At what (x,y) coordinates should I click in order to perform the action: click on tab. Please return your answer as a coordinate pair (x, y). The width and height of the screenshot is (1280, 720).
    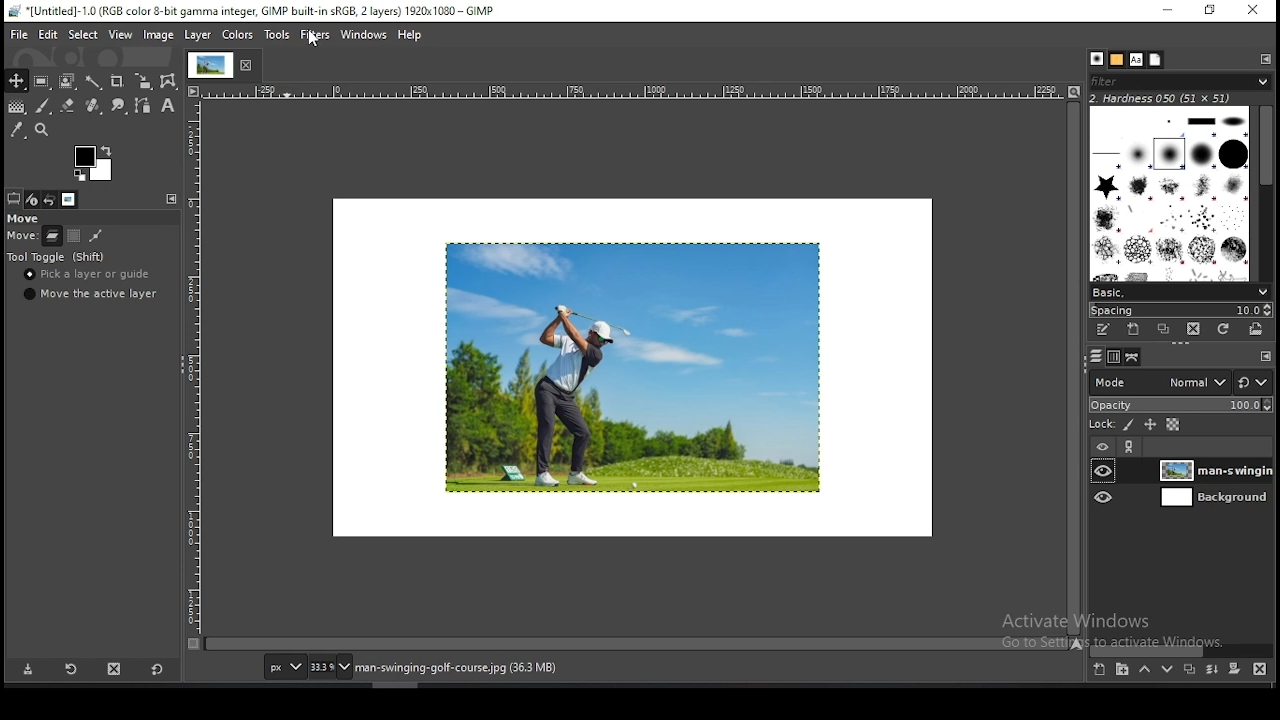
    Looking at the image, I should click on (211, 66).